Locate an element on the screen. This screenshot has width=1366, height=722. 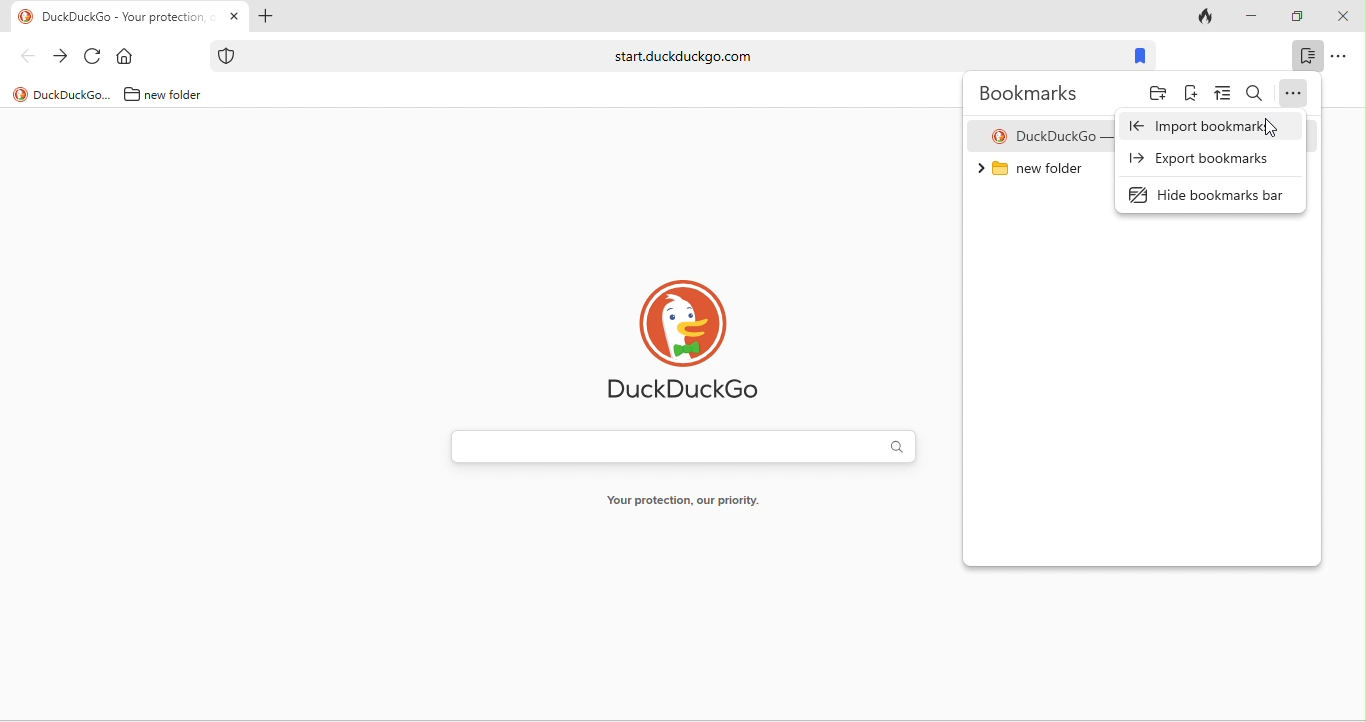
option is located at coordinates (1339, 55).